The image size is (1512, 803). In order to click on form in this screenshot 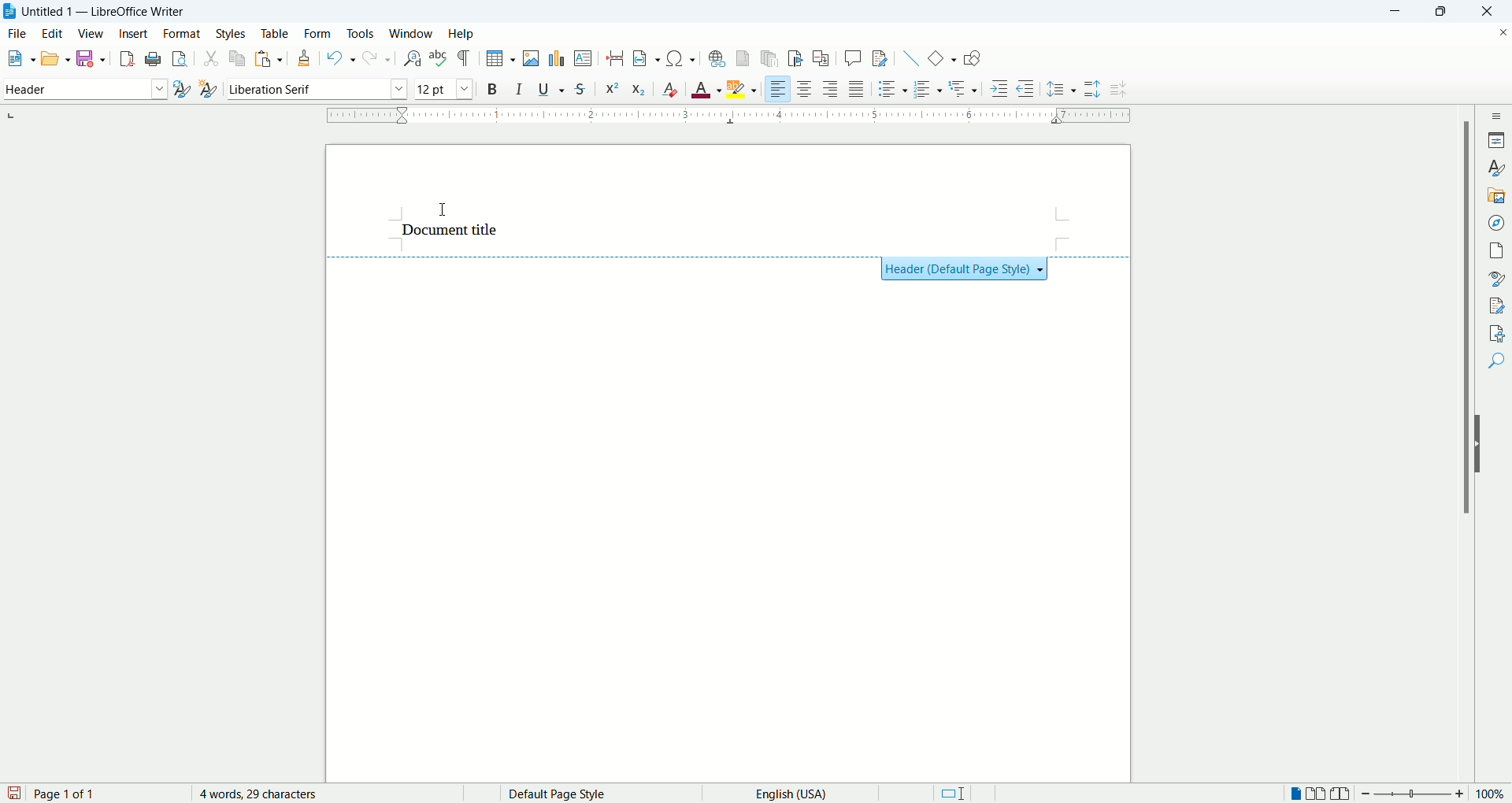, I will do `click(316, 33)`.